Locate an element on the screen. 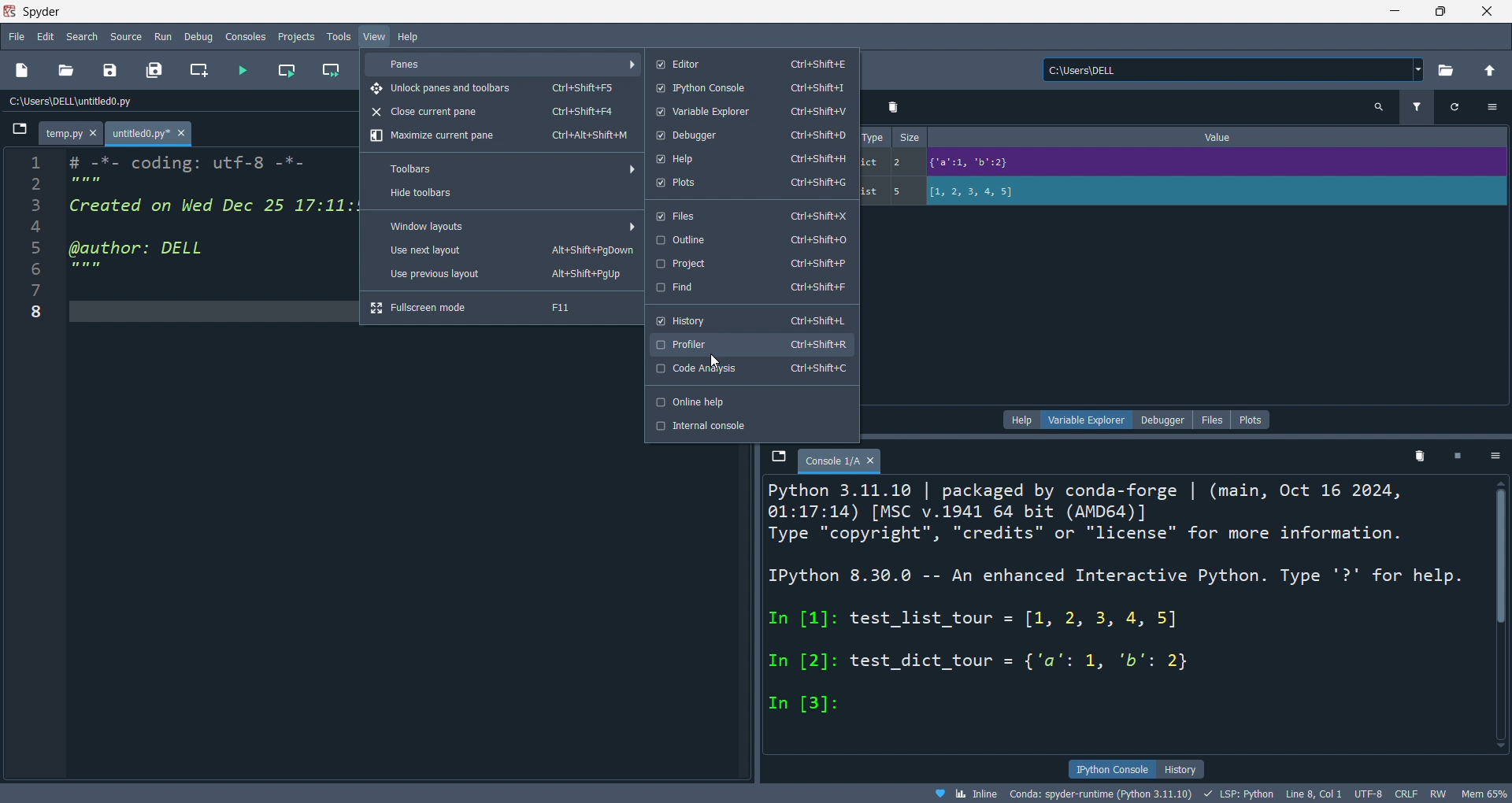 The image size is (1512, 803). fullscreen mode is located at coordinates (500, 308).